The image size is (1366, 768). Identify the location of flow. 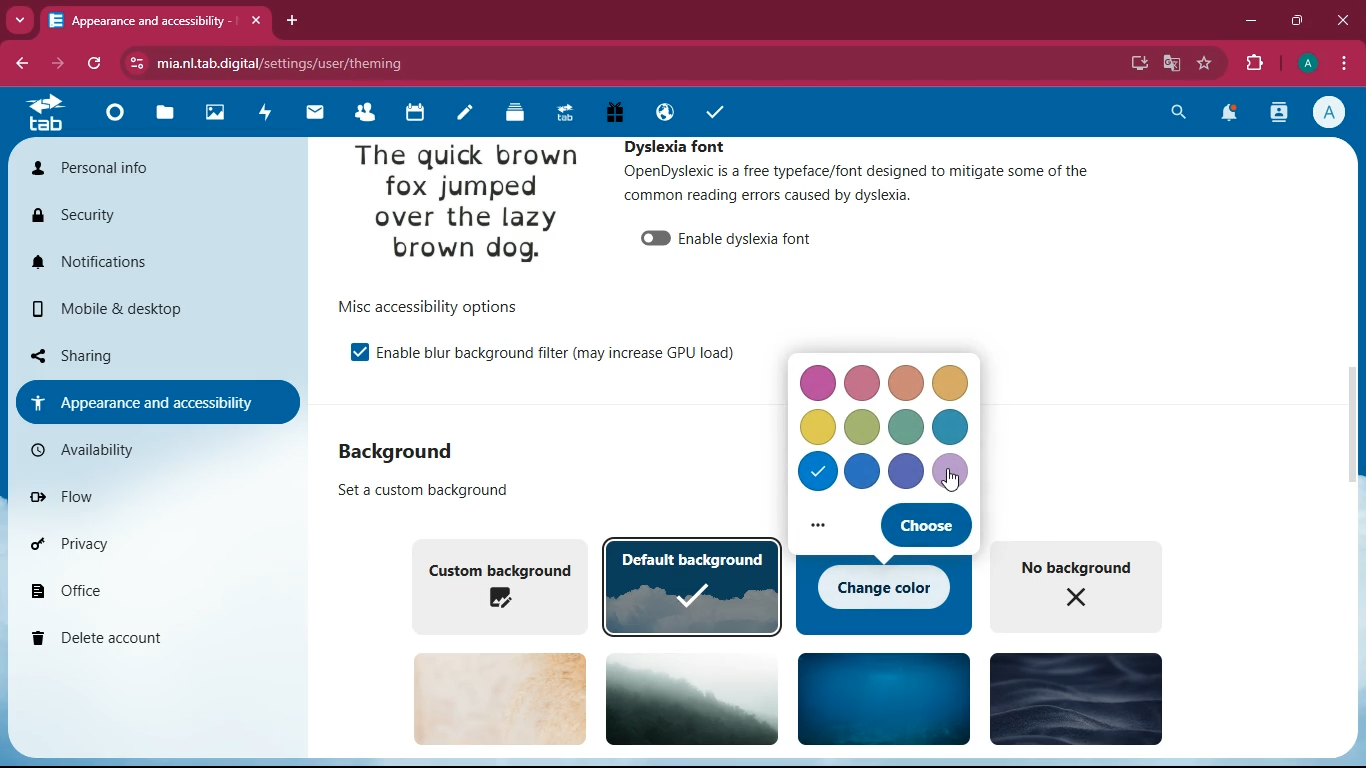
(120, 493).